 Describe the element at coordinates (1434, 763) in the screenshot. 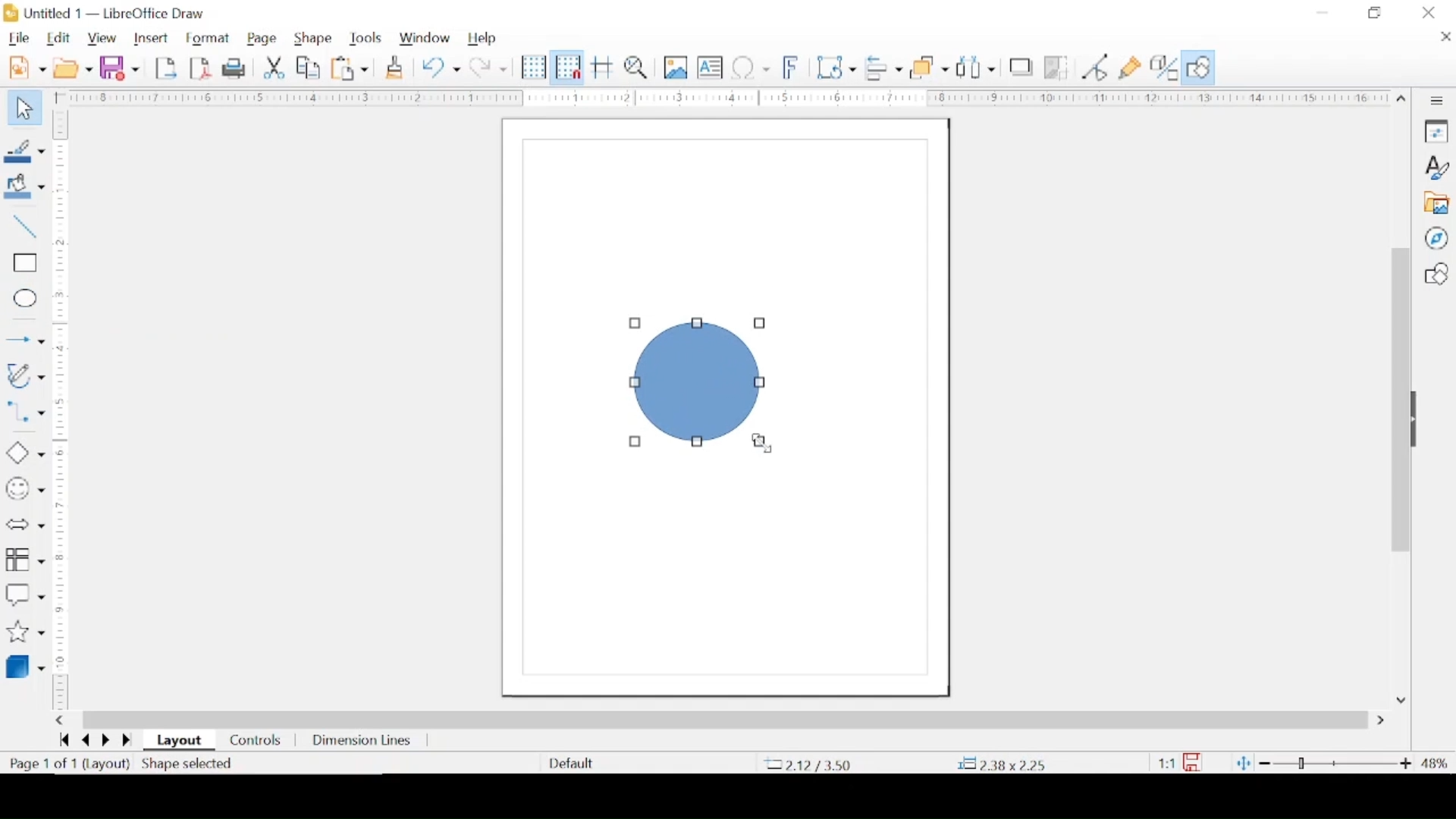

I see `zoom level` at that location.